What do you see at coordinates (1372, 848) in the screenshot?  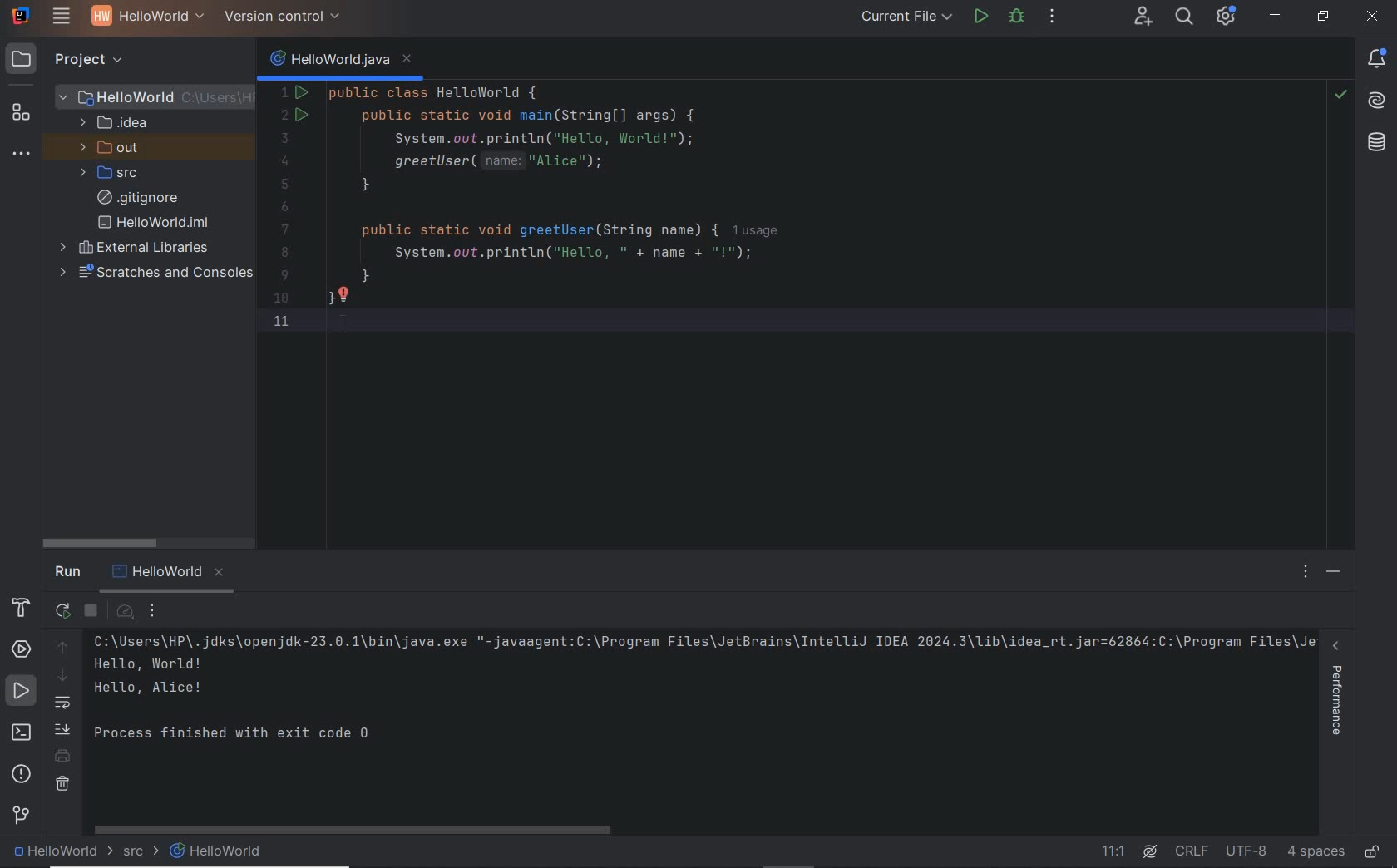 I see `unlock(edit or ready only mode)` at bounding box center [1372, 848].